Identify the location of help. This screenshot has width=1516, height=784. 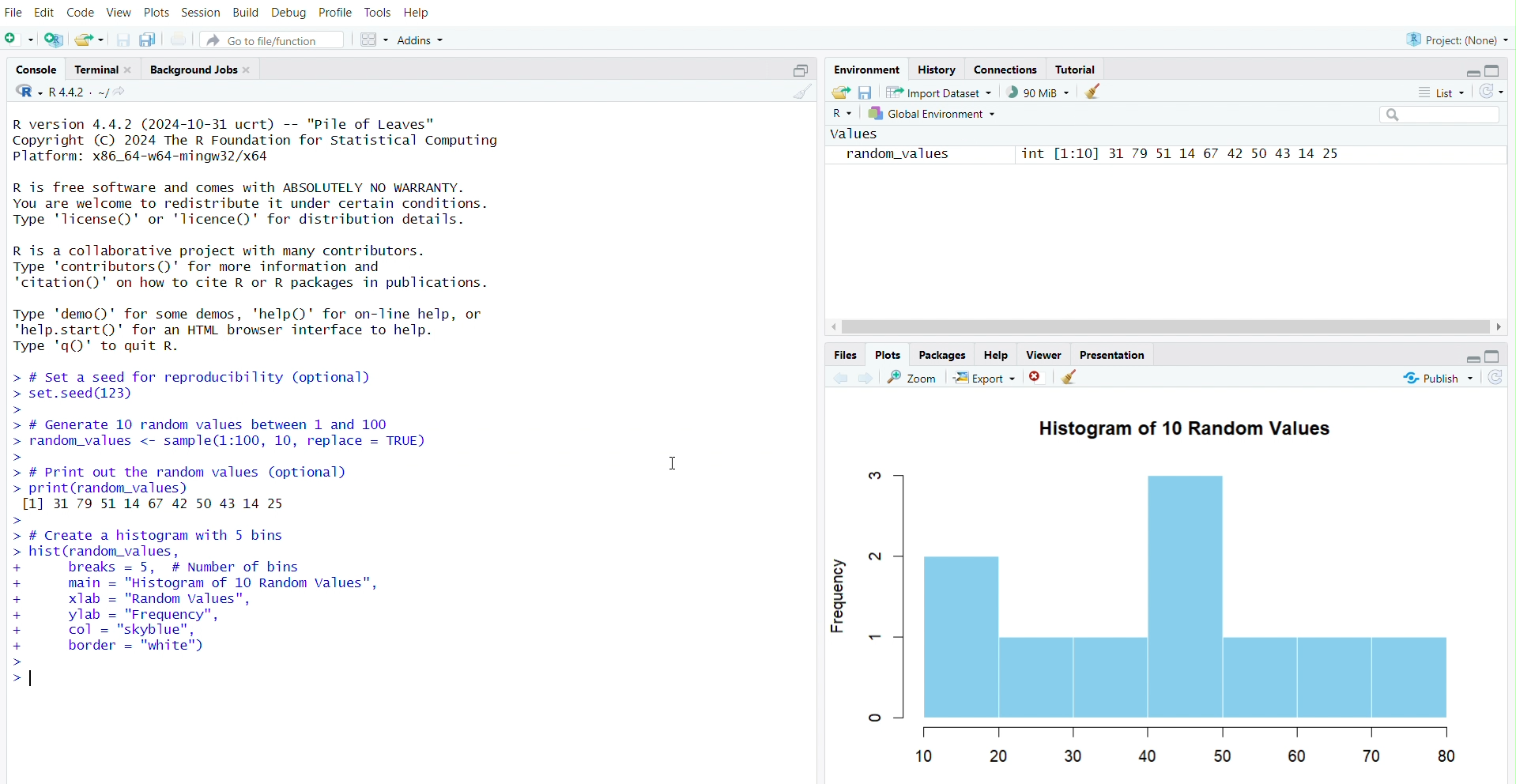
(999, 353).